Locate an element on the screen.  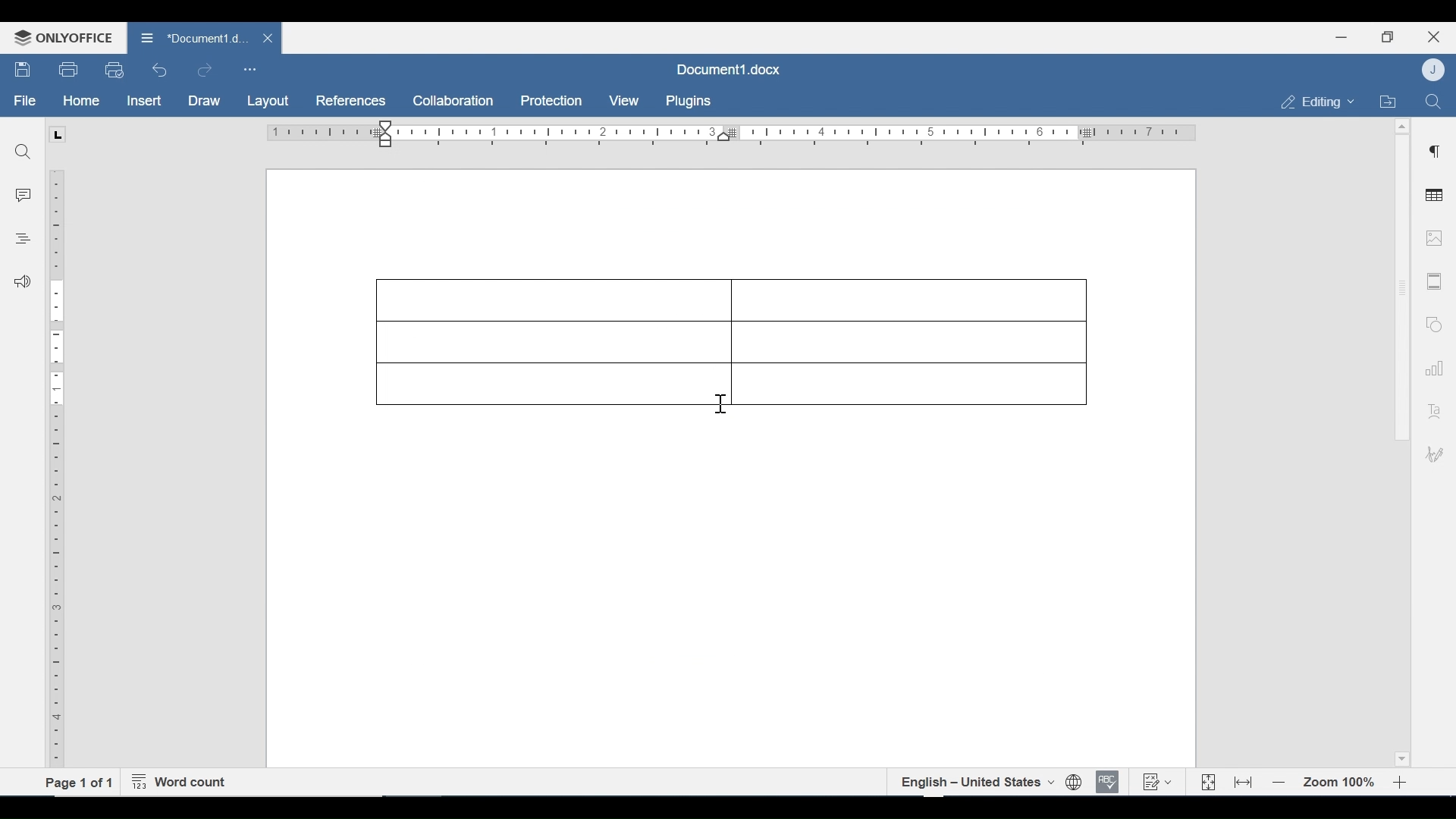
Editing is located at coordinates (1313, 102).